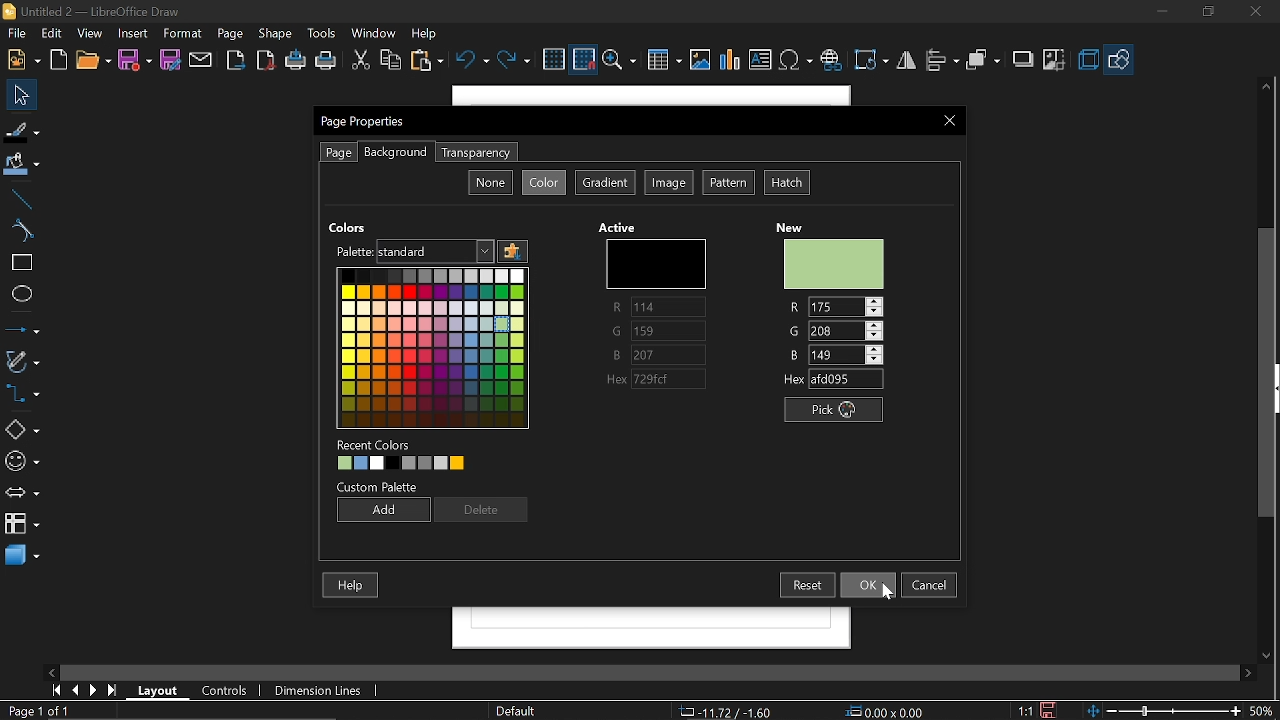 The image size is (1280, 720). I want to click on Lines and arrows, so click(21, 329).